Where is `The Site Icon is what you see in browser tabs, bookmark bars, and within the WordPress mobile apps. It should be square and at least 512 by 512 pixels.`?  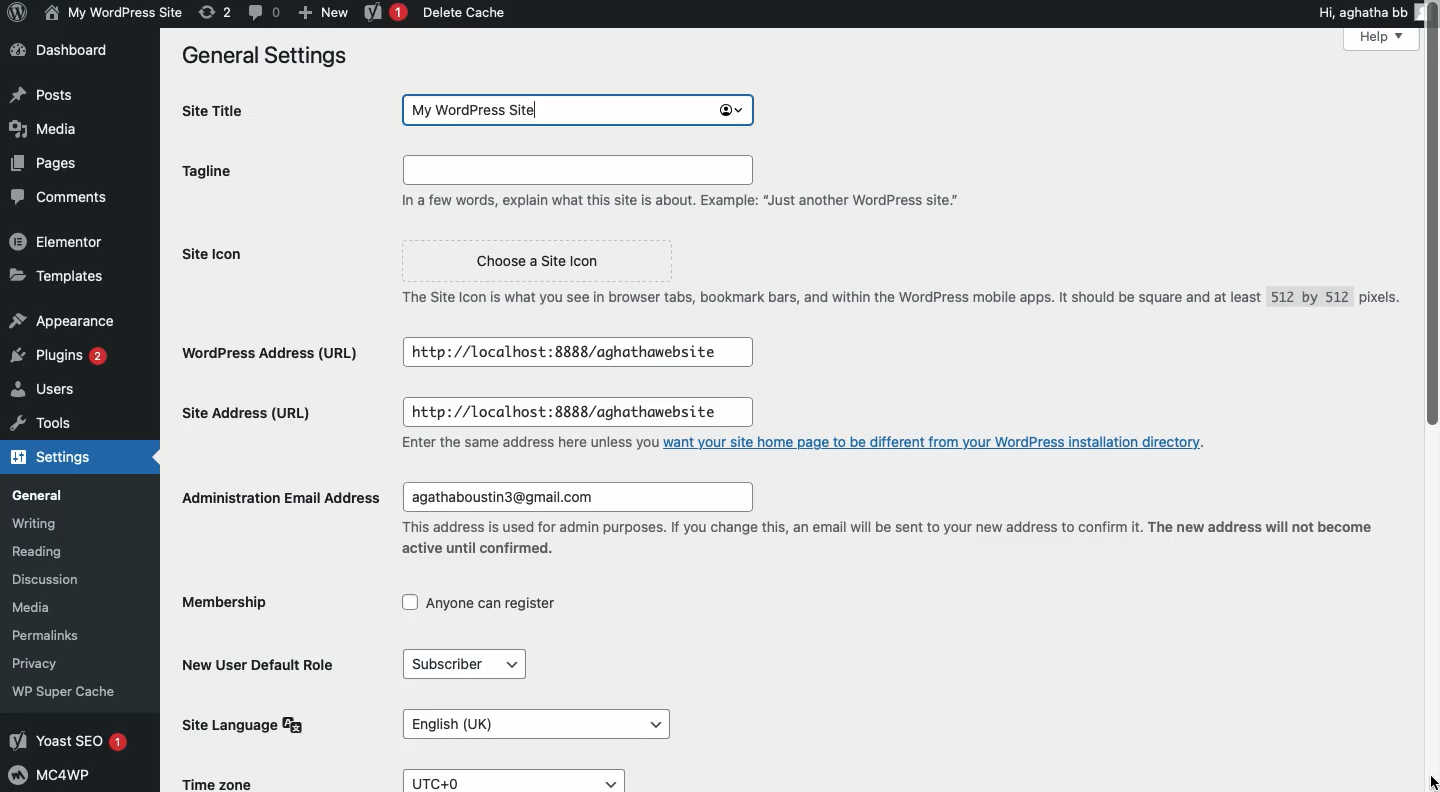 The Site Icon is what you see in browser tabs, bookmark bars, and within the WordPress mobile apps. It should be square and at least 512 by 512 pixels. is located at coordinates (897, 299).